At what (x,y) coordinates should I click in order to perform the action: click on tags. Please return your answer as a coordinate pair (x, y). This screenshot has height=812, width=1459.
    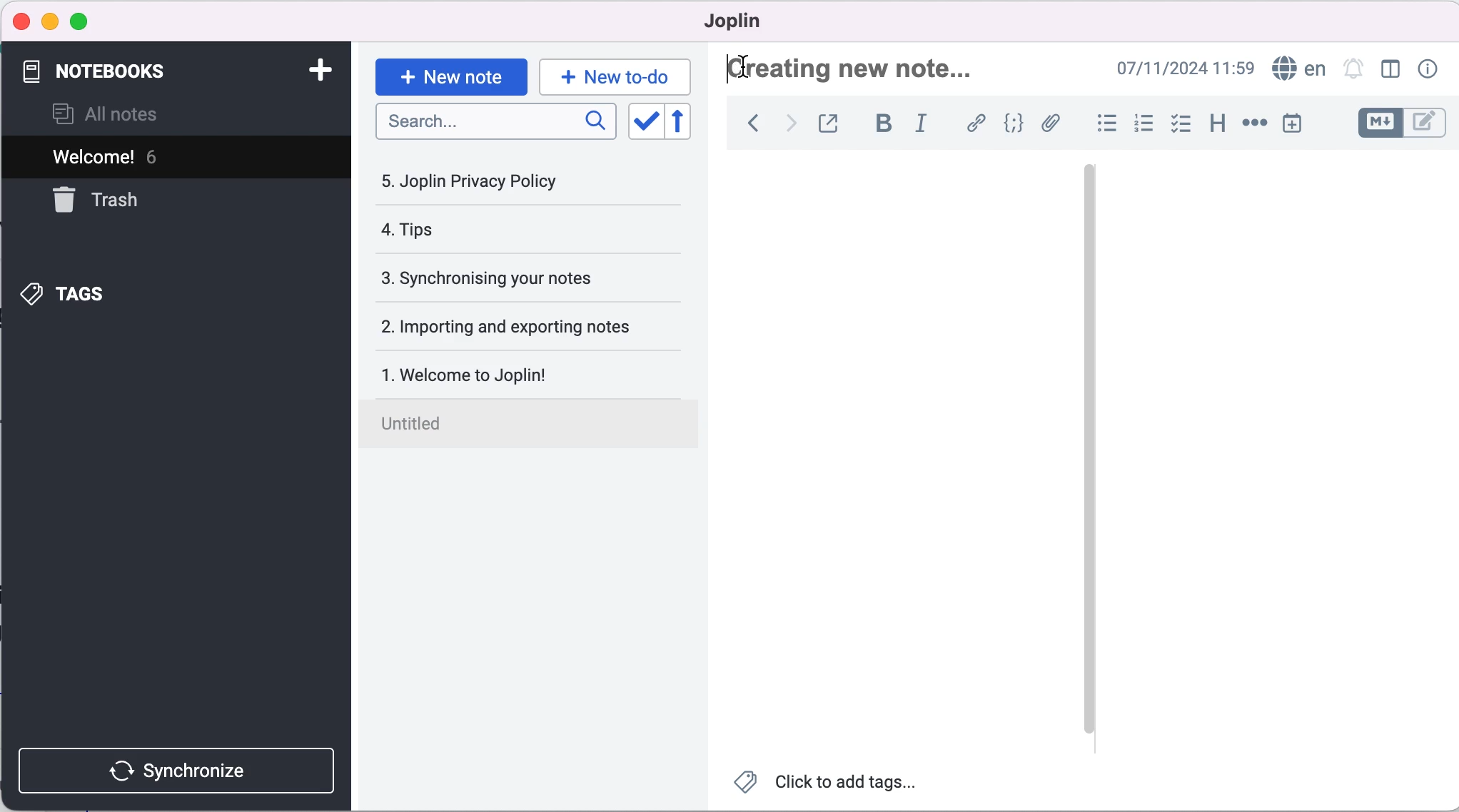
    Looking at the image, I should click on (78, 293).